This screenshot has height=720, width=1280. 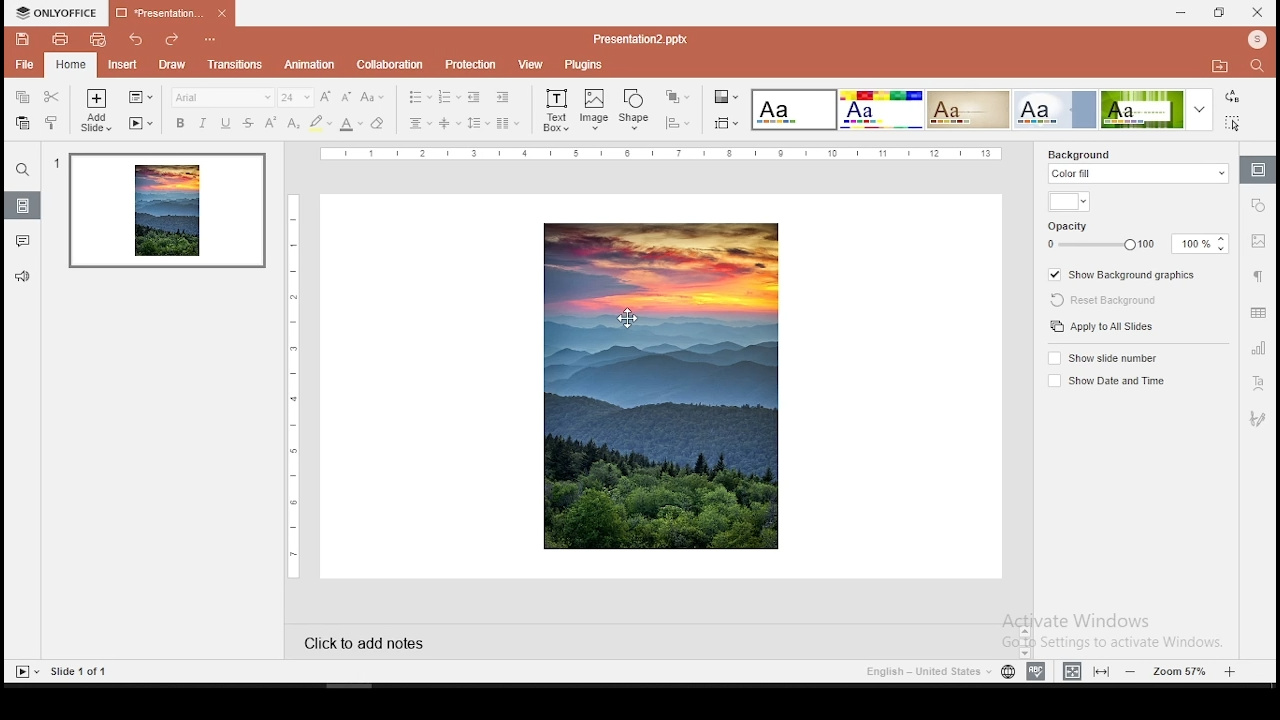 What do you see at coordinates (677, 122) in the screenshot?
I see `align objects` at bounding box center [677, 122].